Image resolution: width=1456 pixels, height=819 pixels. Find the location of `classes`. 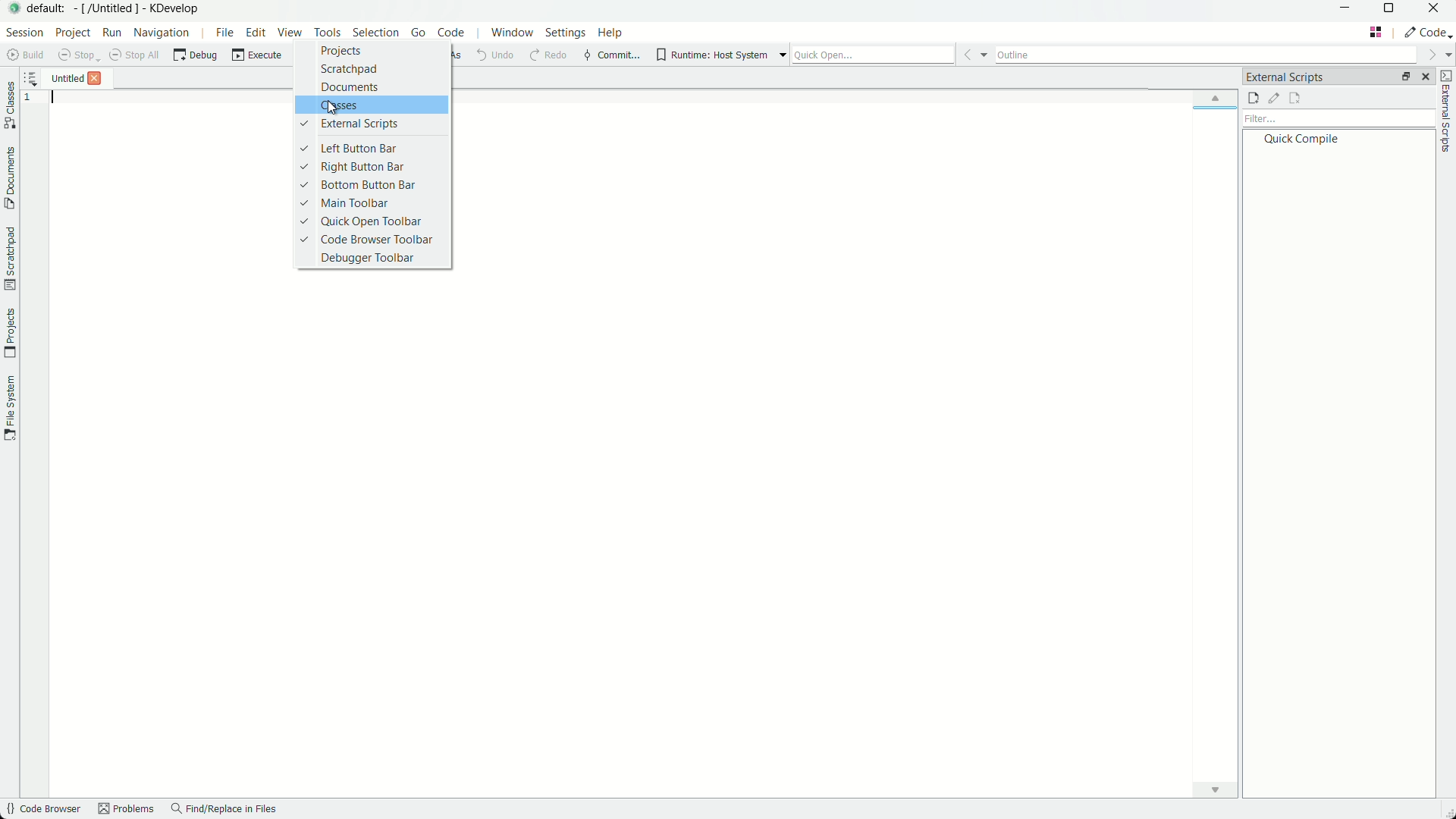

classes is located at coordinates (9, 105).